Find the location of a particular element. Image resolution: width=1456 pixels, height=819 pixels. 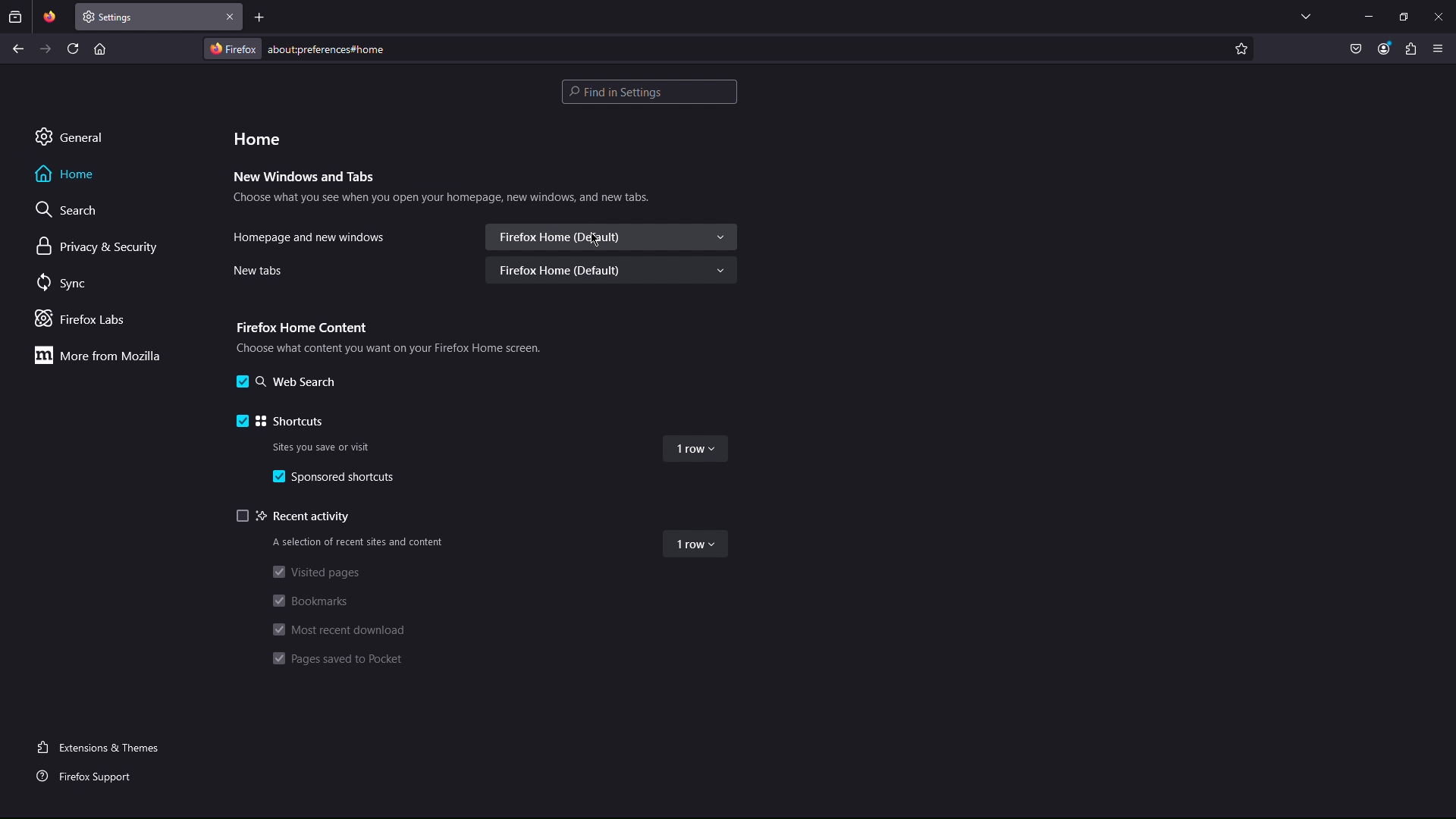

Cursor is located at coordinates (595, 240).